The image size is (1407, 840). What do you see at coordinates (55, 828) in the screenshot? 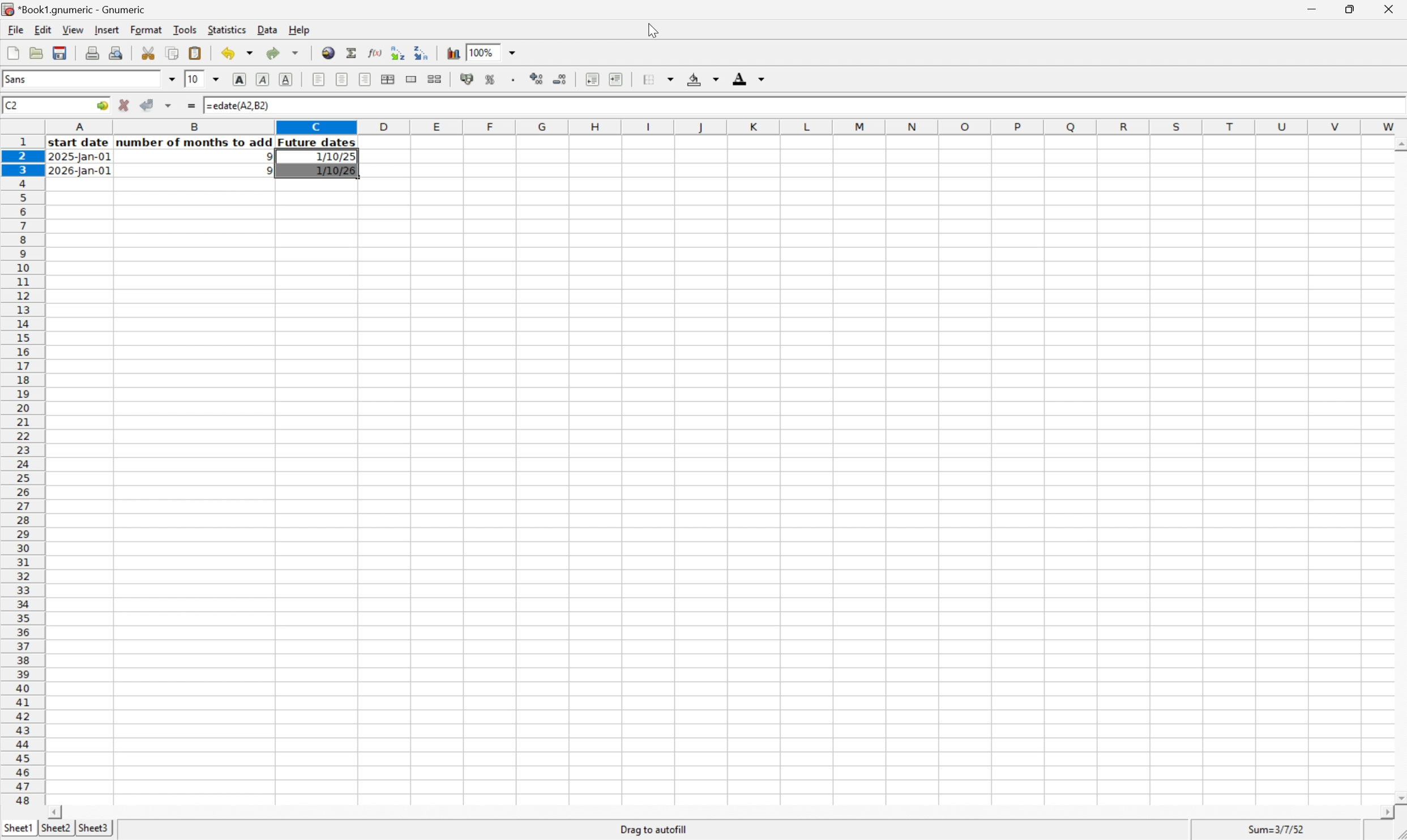
I see `Sheet2` at bounding box center [55, 828].